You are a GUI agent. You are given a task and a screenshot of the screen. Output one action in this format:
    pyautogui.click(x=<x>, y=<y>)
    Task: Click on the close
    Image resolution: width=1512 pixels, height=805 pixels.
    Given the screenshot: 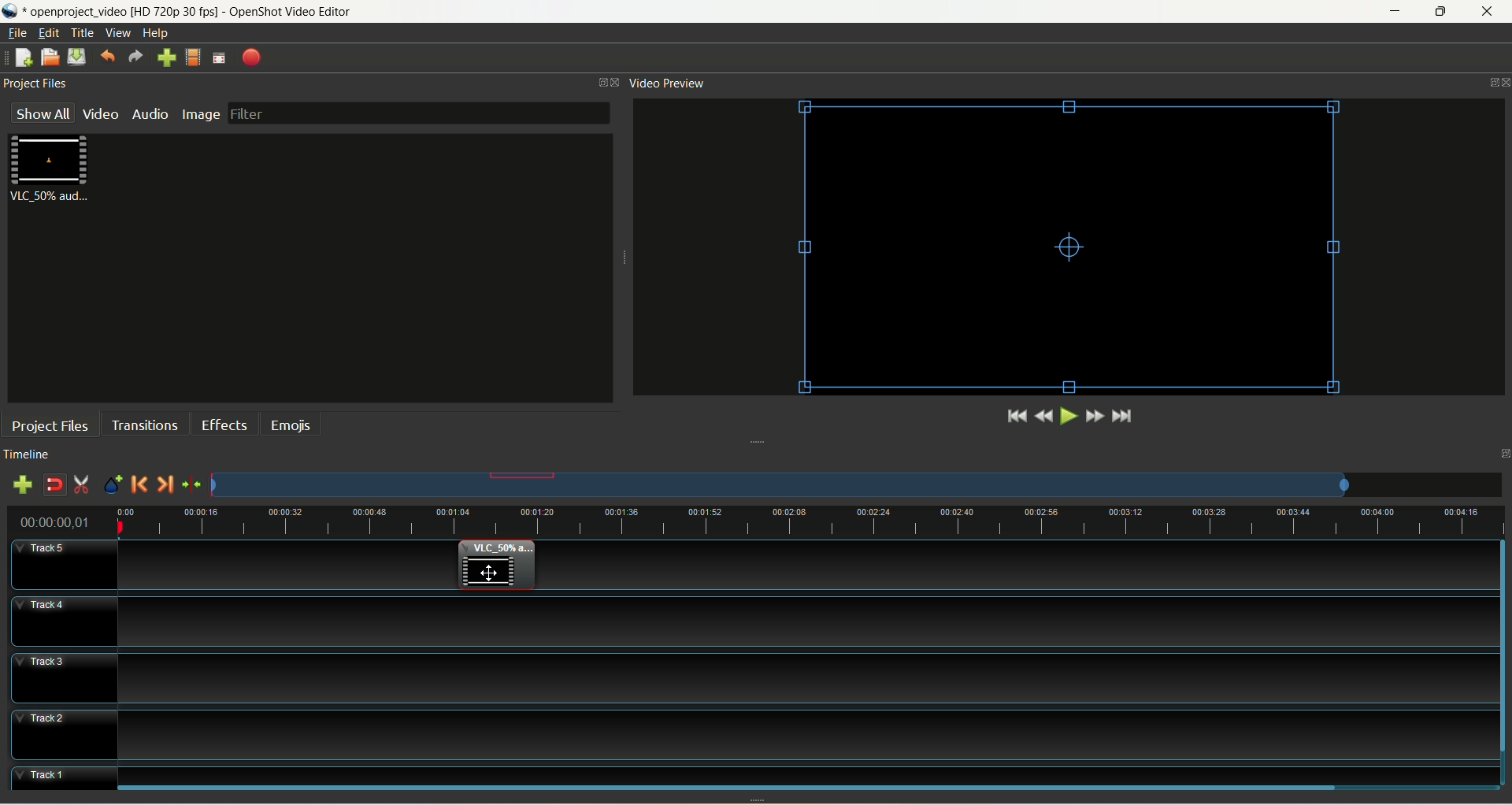 What is the action you would take?
    pyautogui.click(x=1487, y=12)
    